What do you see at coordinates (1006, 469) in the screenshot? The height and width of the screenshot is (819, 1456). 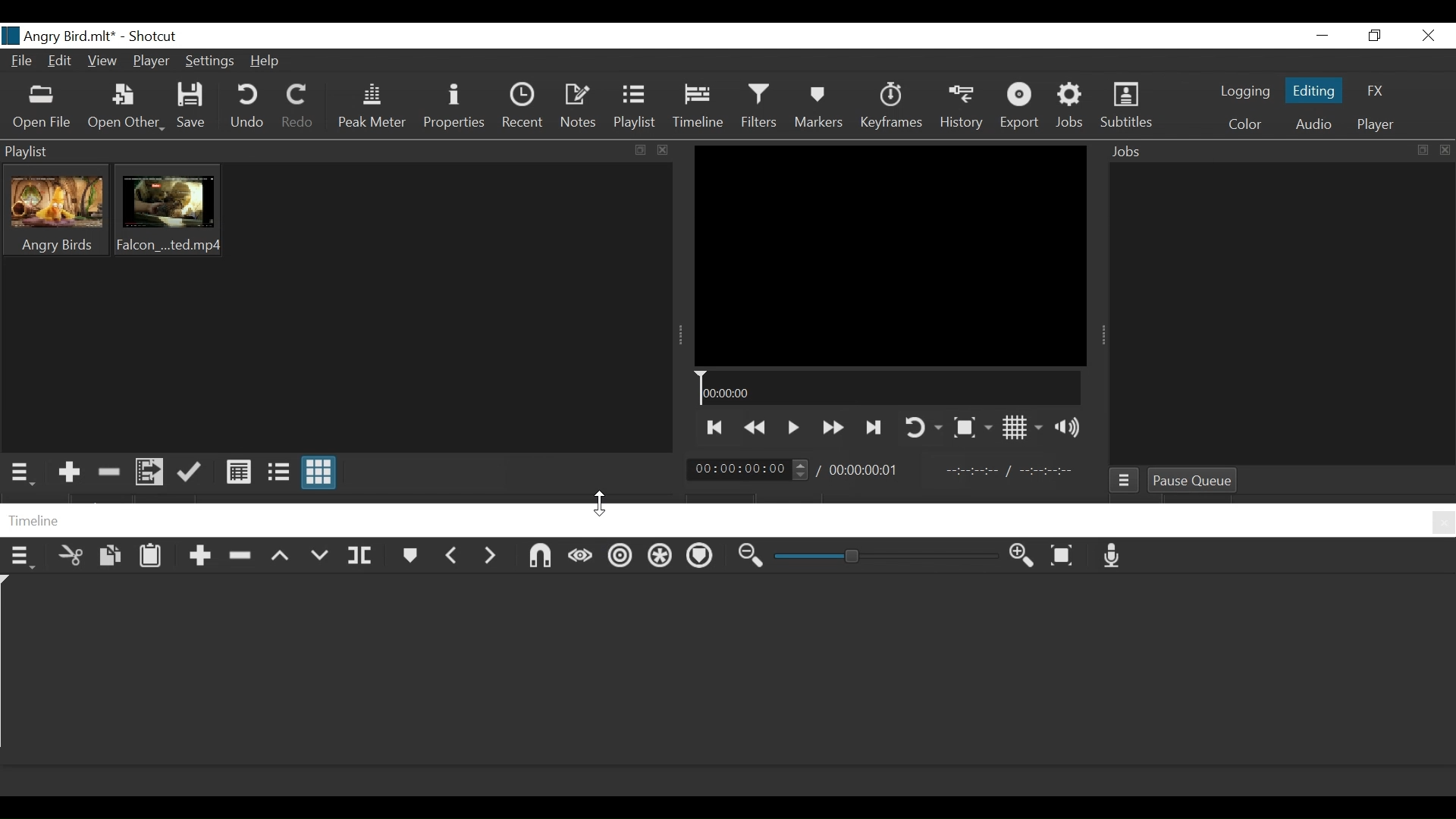 I see `In point` at bounding box center [1006, 469].